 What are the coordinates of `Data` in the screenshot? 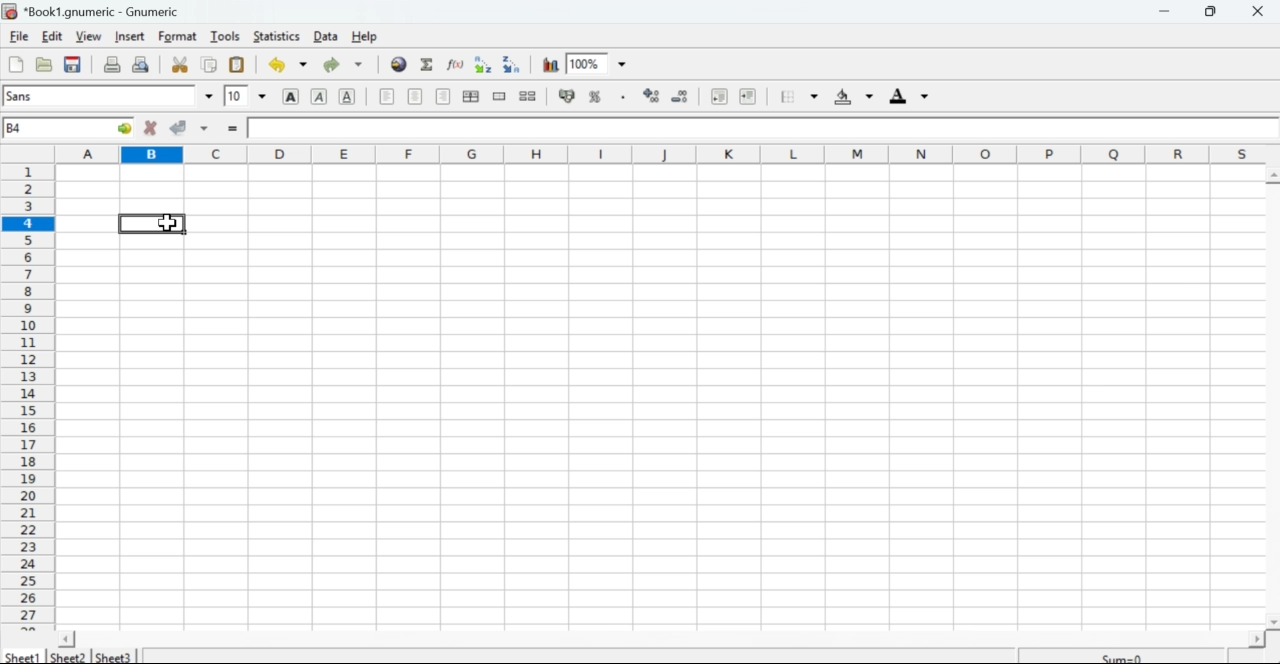 It's located at (327, 36).